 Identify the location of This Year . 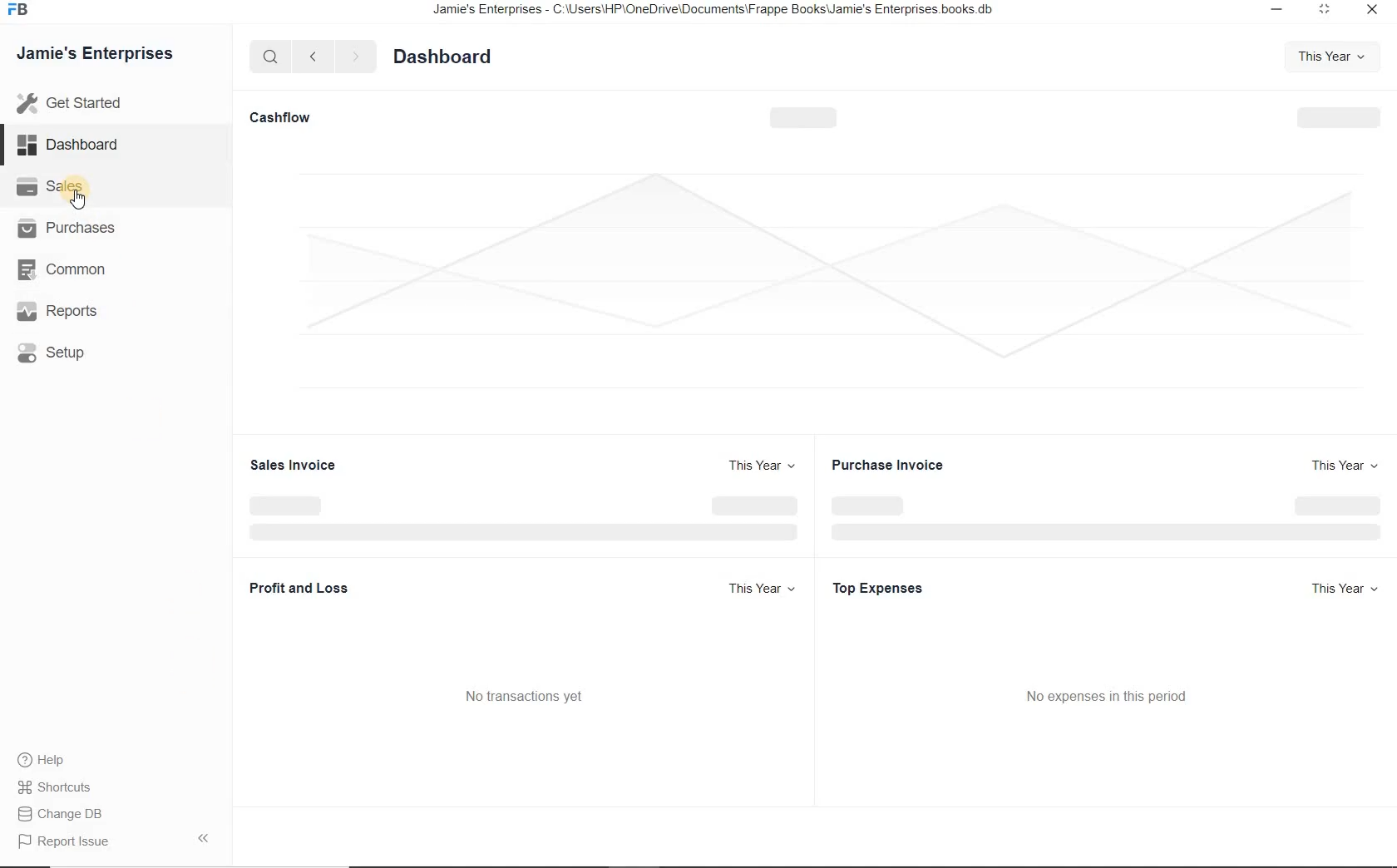
(1342, 467).